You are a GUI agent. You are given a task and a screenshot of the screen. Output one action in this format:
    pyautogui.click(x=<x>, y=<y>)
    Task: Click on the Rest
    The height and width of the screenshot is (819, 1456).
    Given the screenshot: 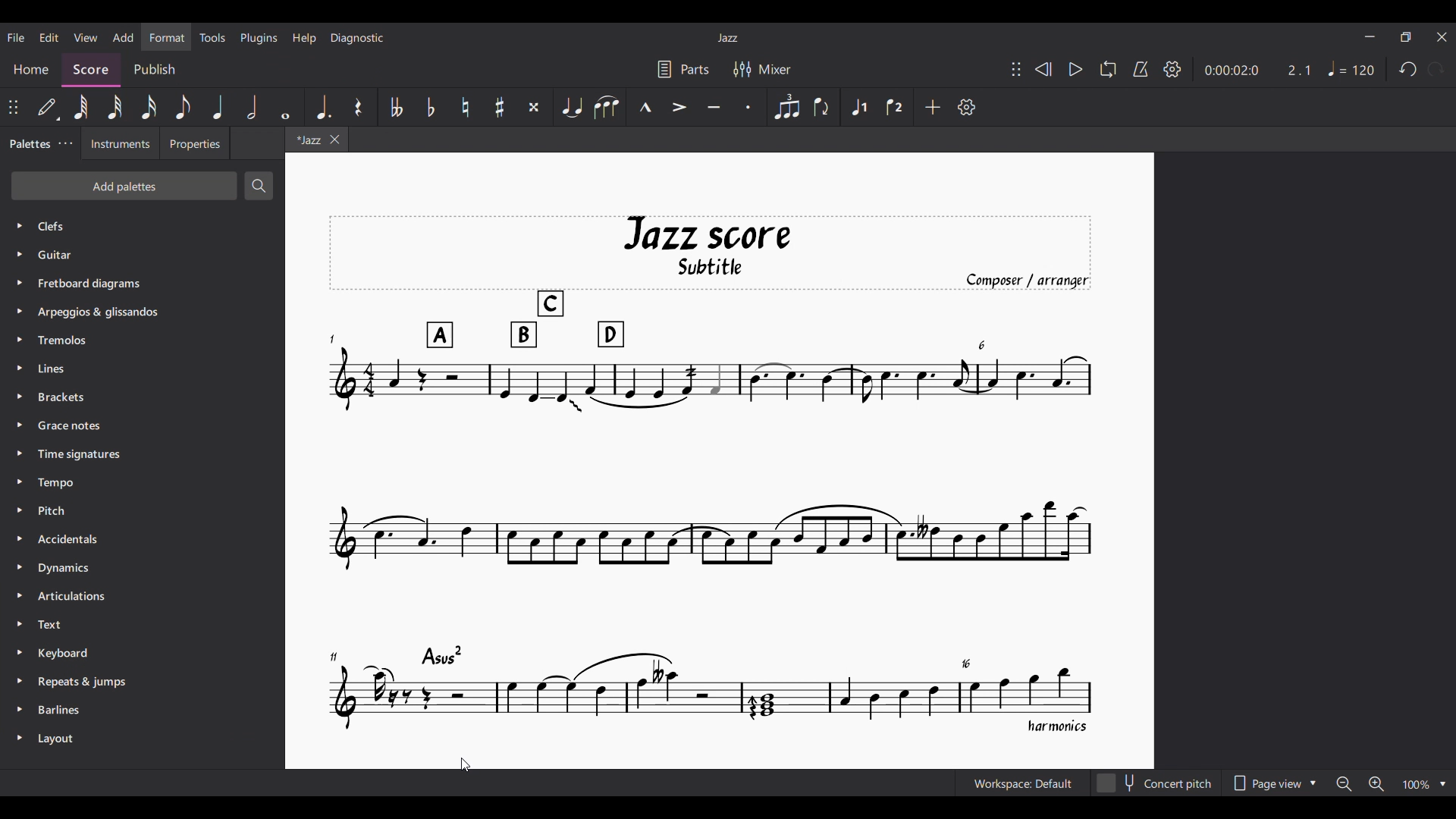 What is the action you would take?
    pyautogui.click(x=359, y=107)
    